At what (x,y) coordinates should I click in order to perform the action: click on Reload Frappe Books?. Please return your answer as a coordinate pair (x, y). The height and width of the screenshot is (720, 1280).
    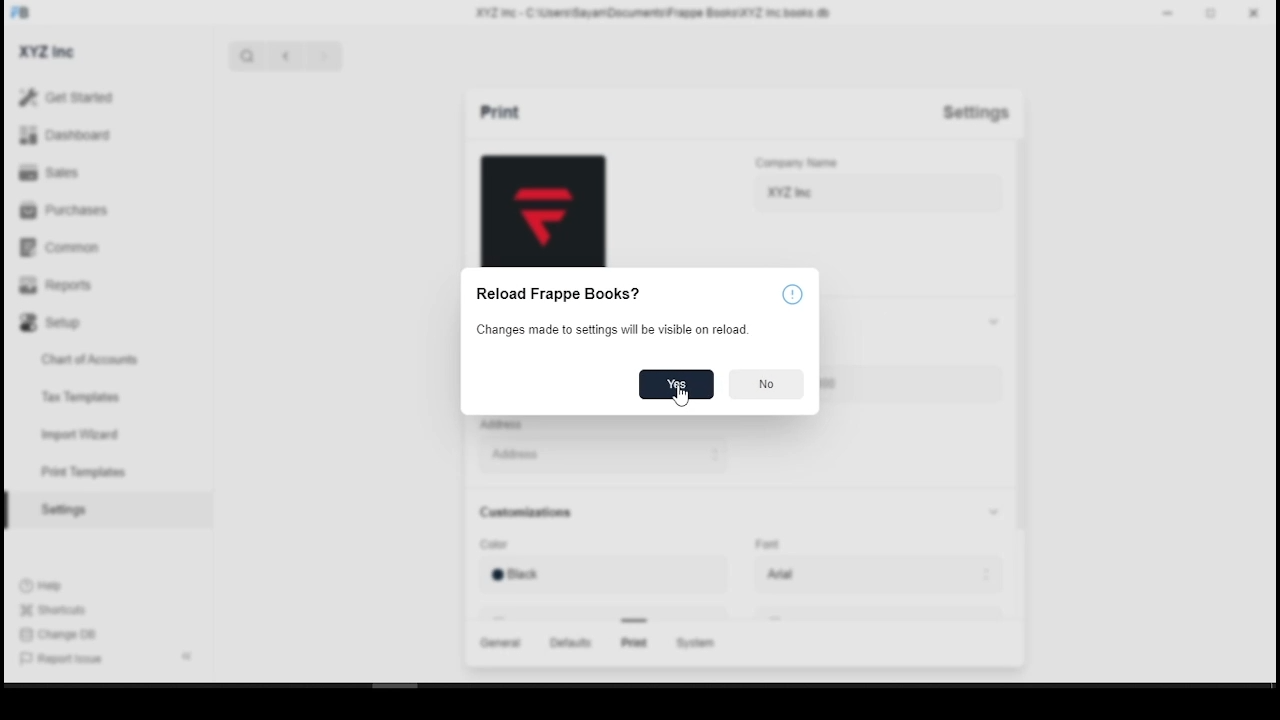
    Looking at the image, I should click on (556, 295).